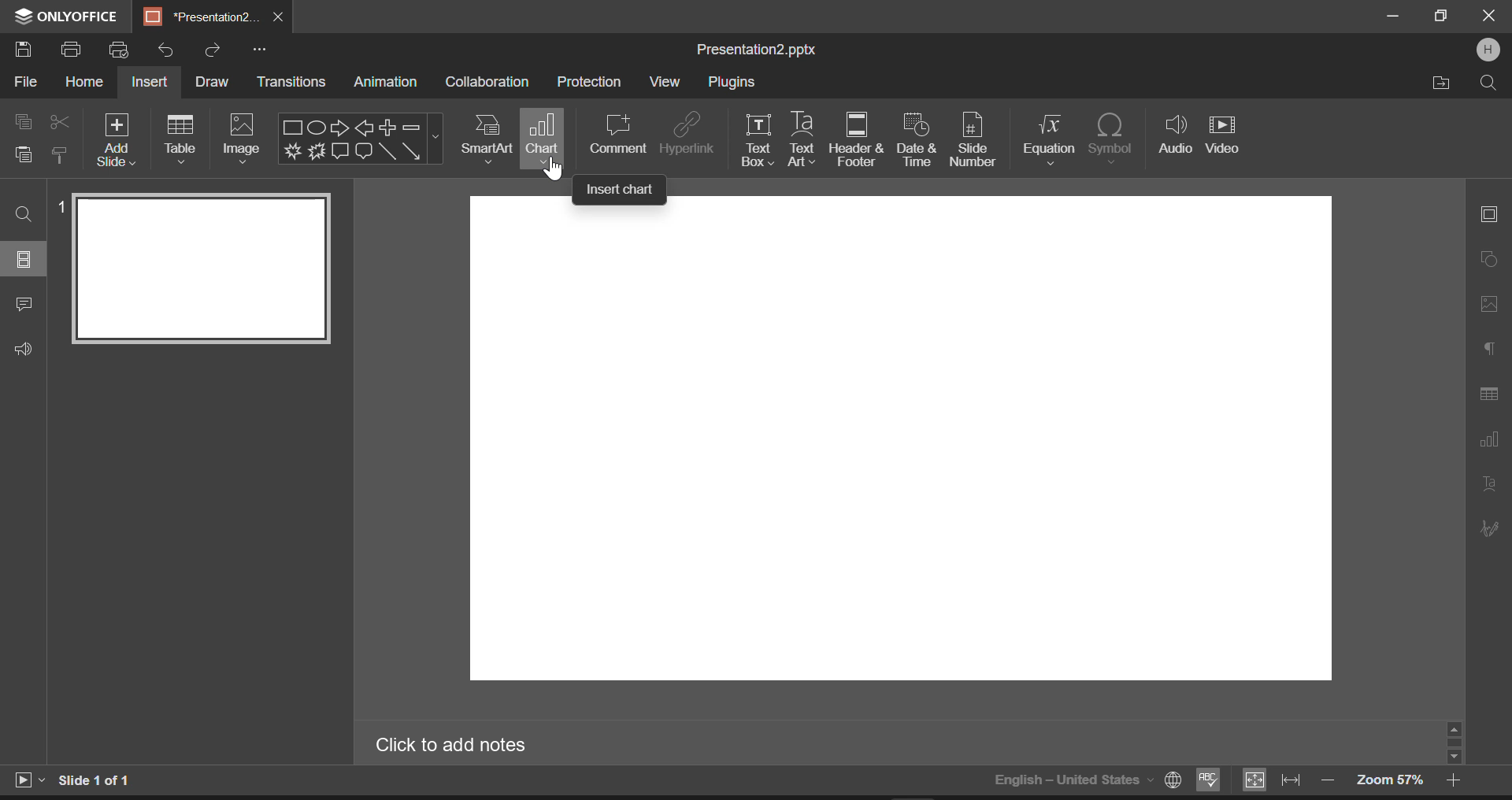 The height and width of the screenshot is (800, 1512). What do you see at coordinates (1488, 17) in the screenshot?
I see `Close` at bounding box center [1488, 17].